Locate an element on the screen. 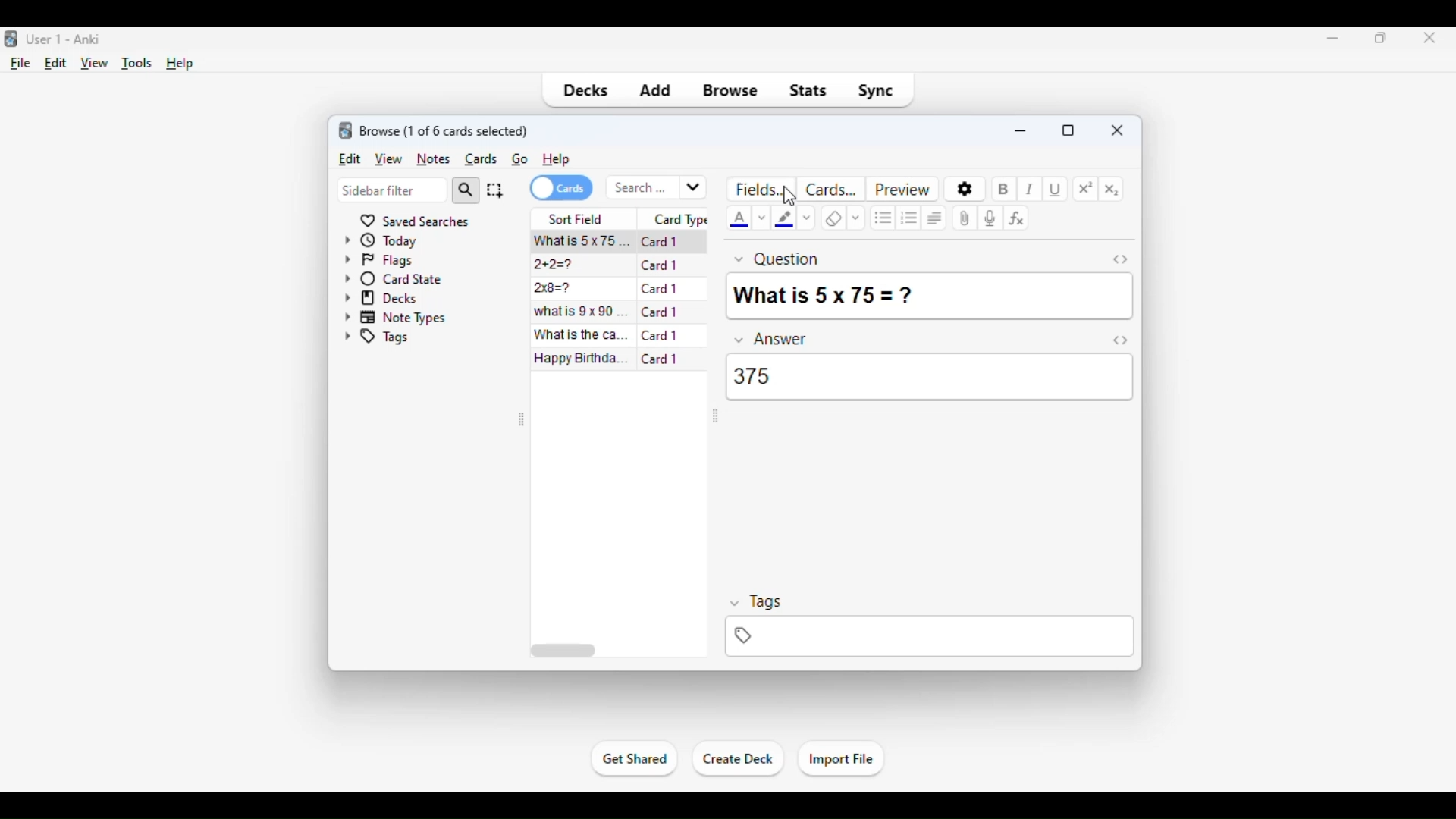 This screenshot has height=819, width=1456. change color is located at coordinates (763, 218).